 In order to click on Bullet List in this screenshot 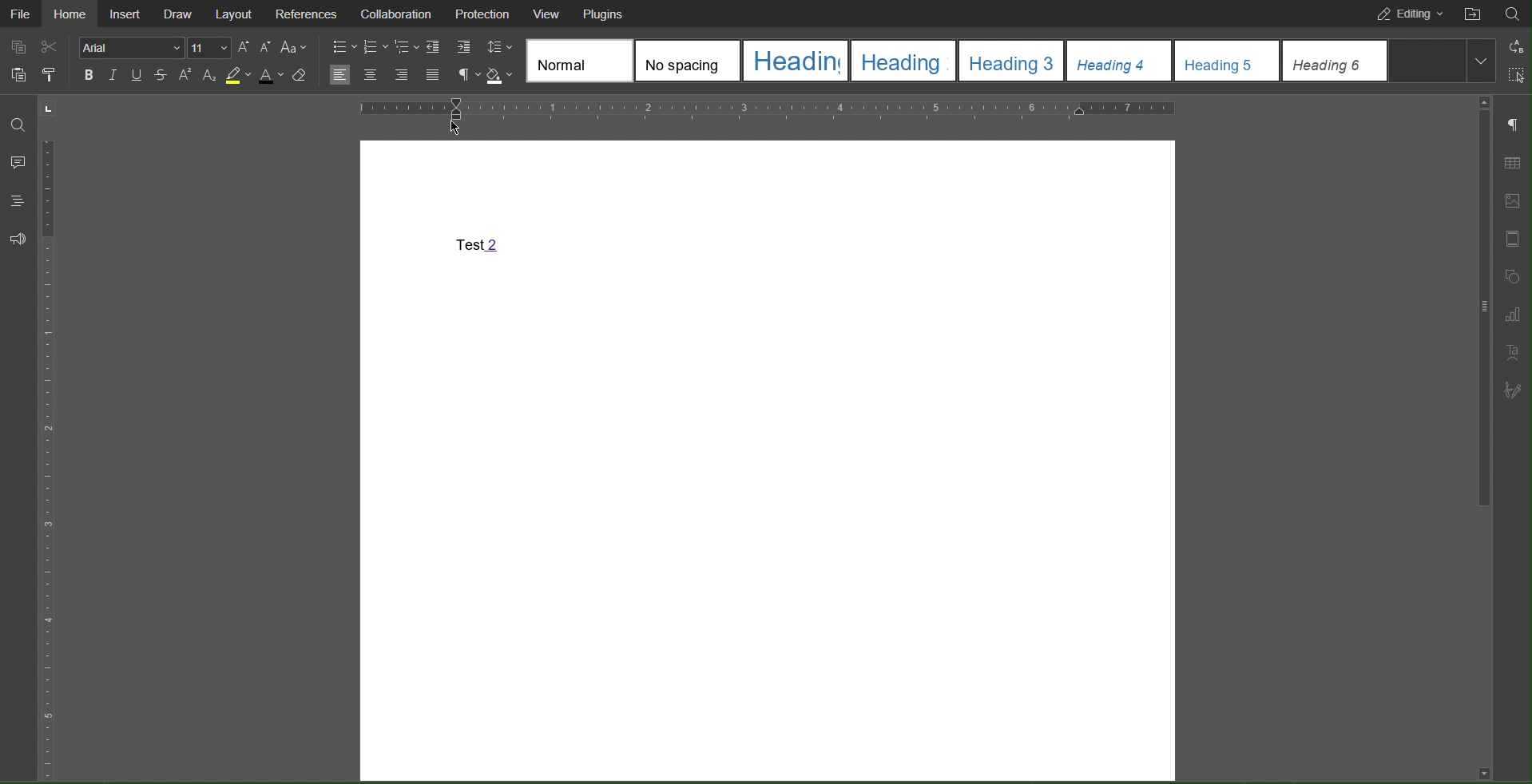, I will do `click(343, 46)`.